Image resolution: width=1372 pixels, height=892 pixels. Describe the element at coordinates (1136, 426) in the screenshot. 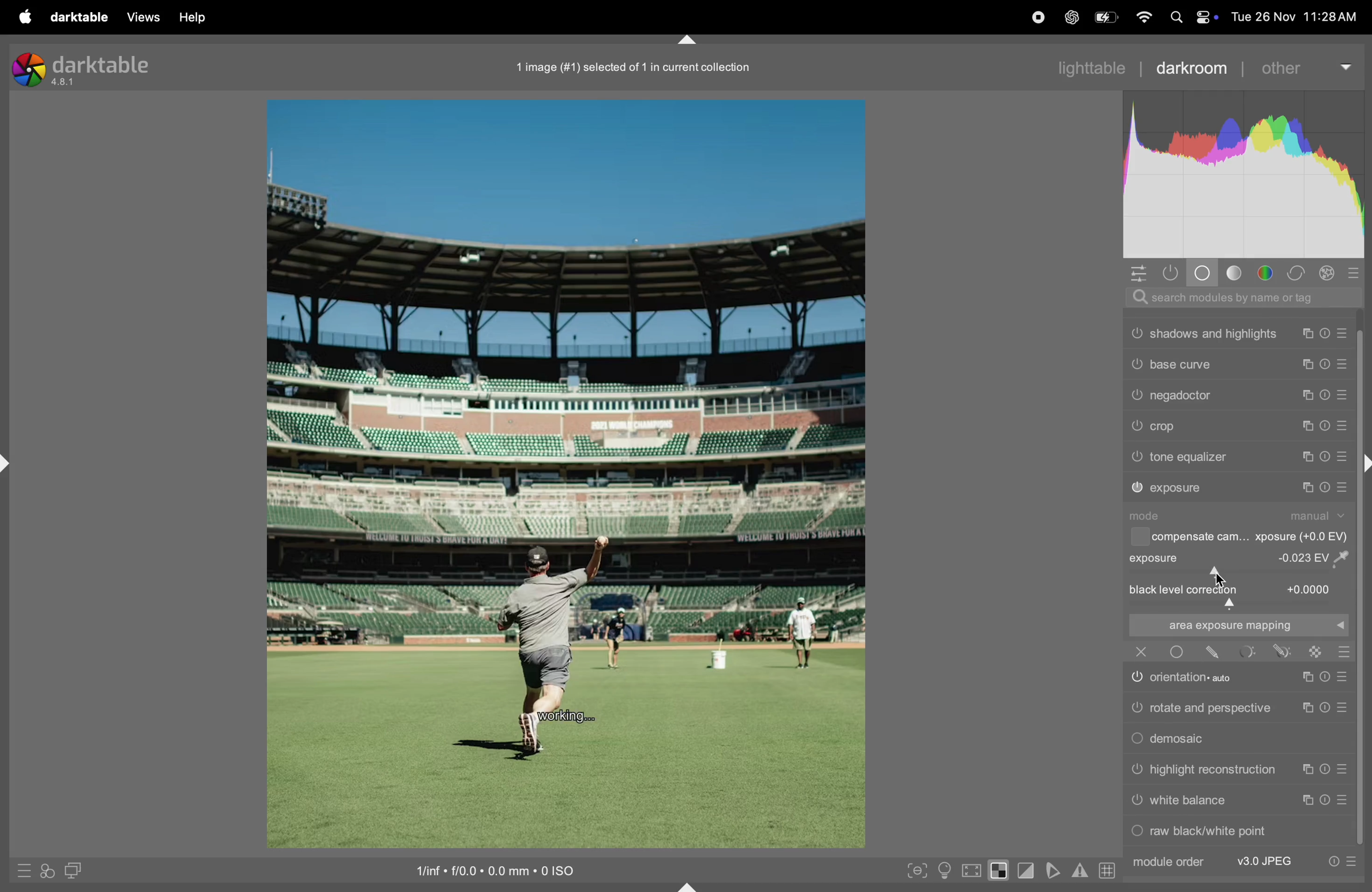

I see `Switch on or off` at that location.